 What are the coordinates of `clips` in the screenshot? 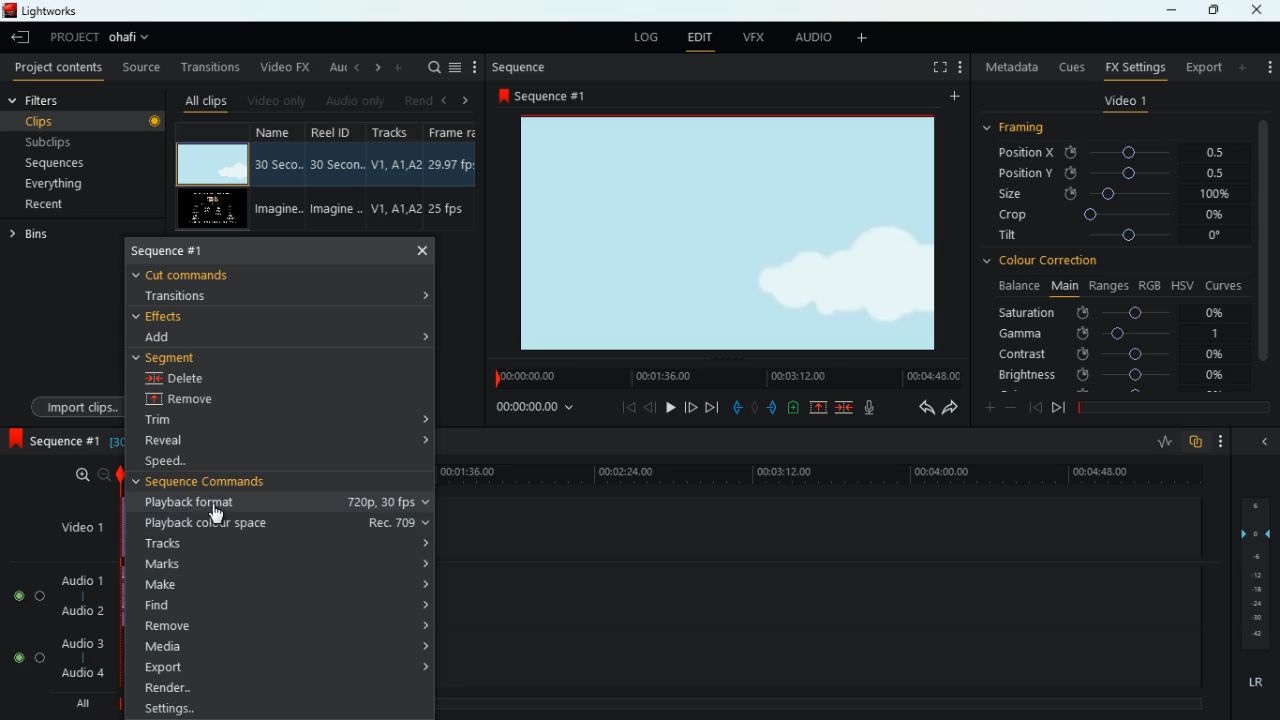 It's located at (87, 121).